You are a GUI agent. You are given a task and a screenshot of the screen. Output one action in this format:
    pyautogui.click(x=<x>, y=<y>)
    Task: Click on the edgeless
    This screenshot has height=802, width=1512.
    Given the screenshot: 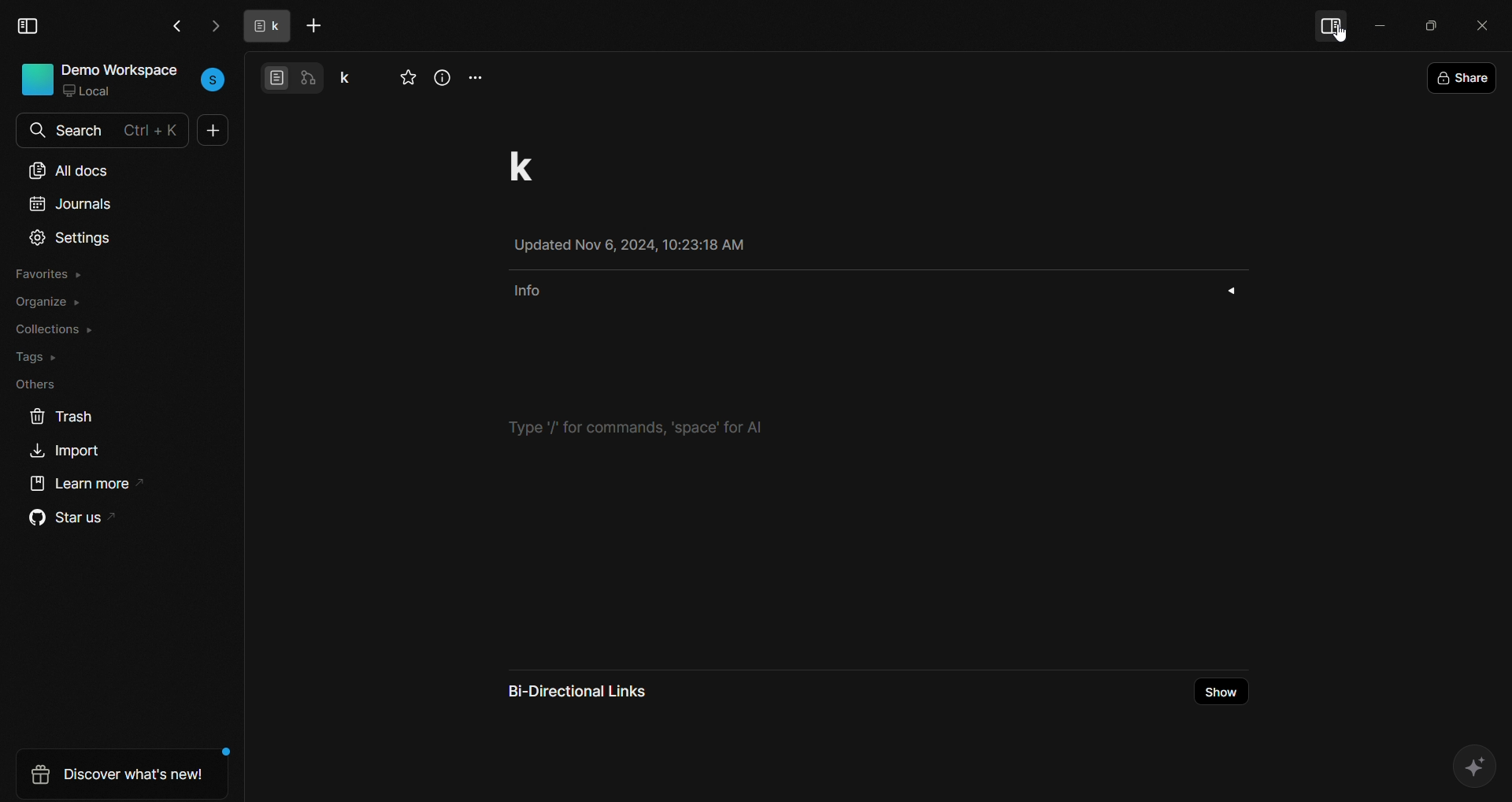 What is the action you would take?
    pyautogui.click(x=313, y=76)
    